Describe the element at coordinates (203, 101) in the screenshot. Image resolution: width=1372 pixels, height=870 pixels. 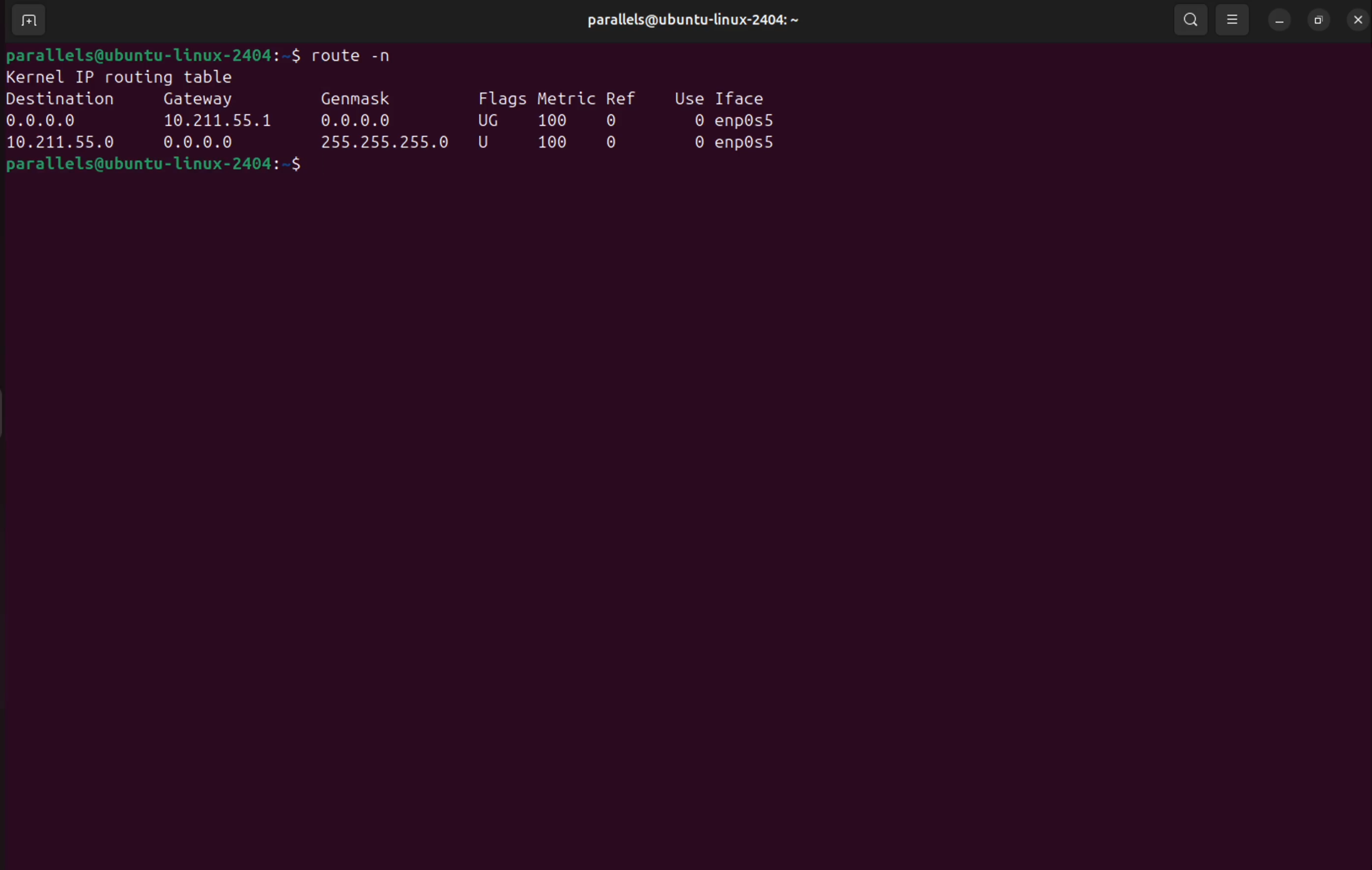
I see `Gate way` at that location.